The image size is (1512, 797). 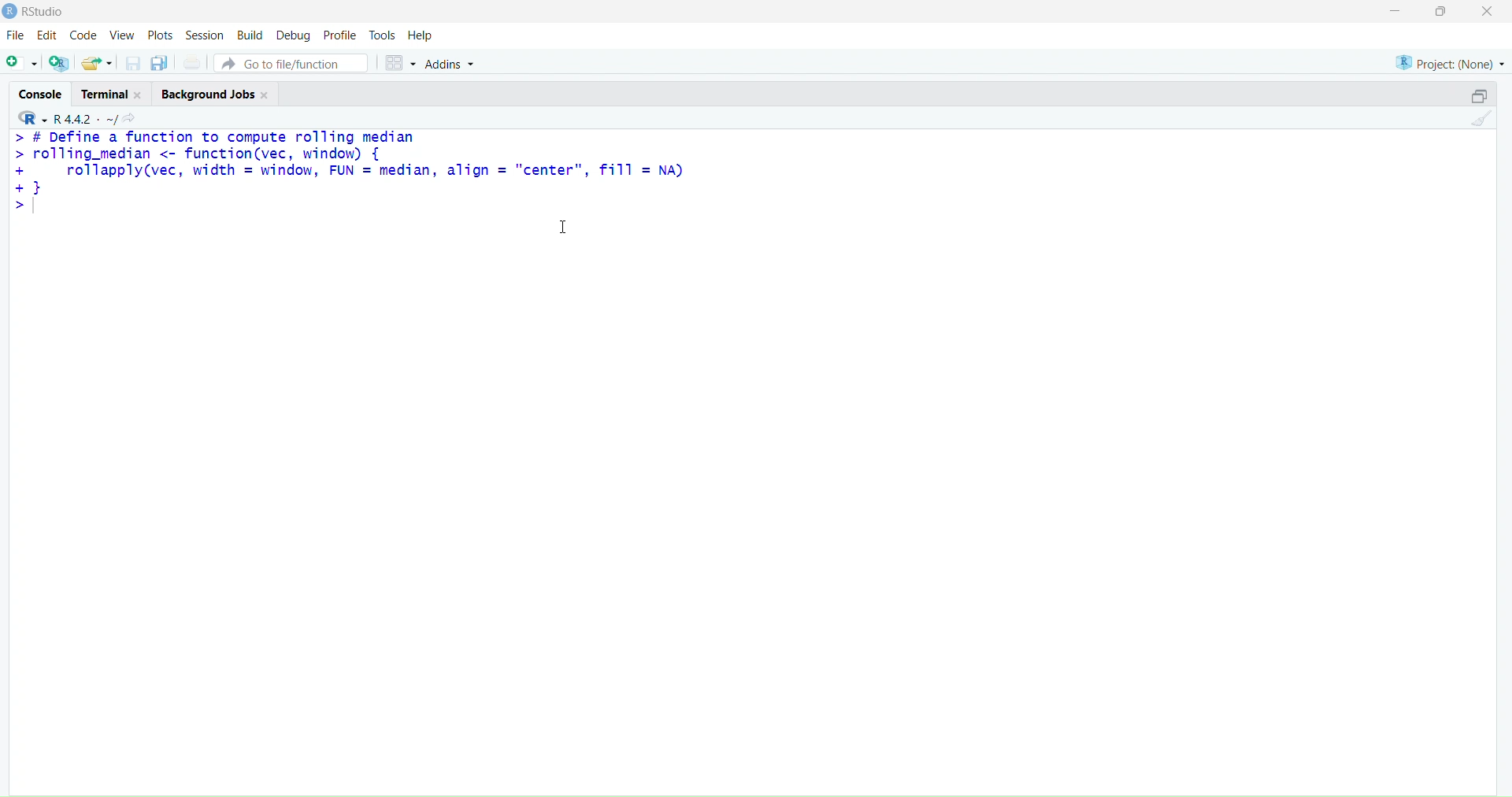 I want to click on build, so click(x=250, y=35).